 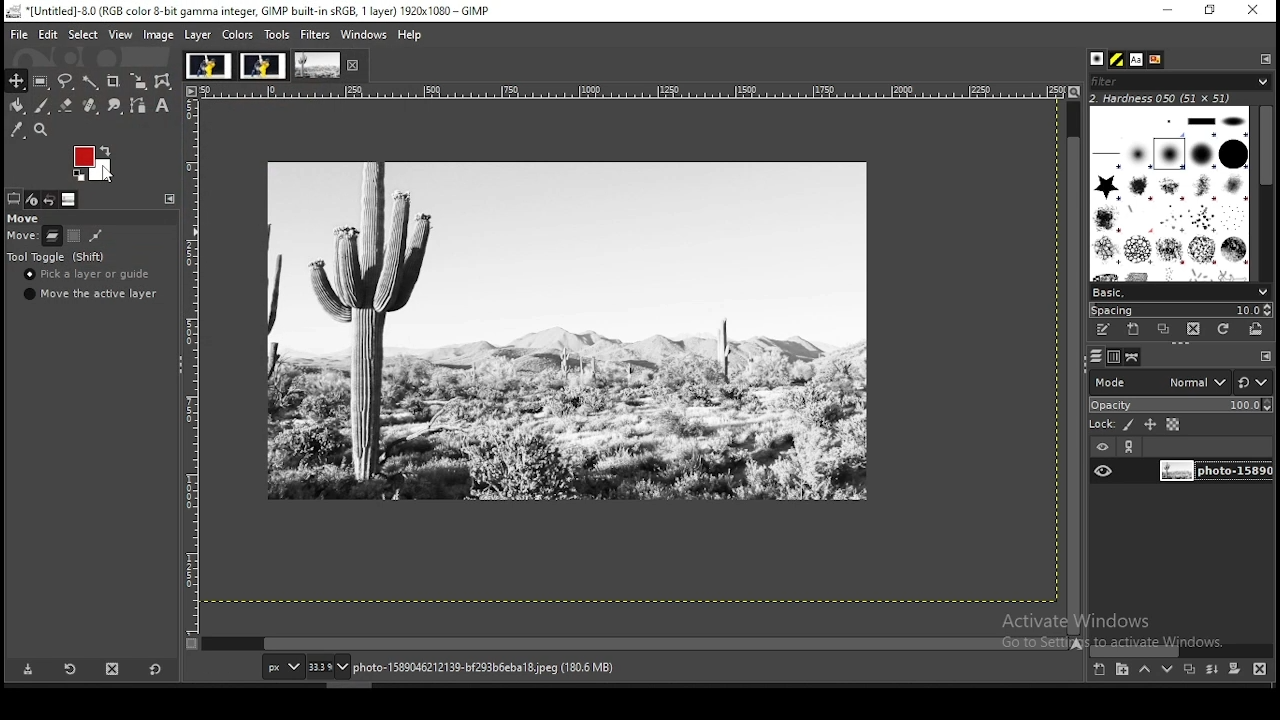 I want to click on minimize, so click(x=1168, y=11).